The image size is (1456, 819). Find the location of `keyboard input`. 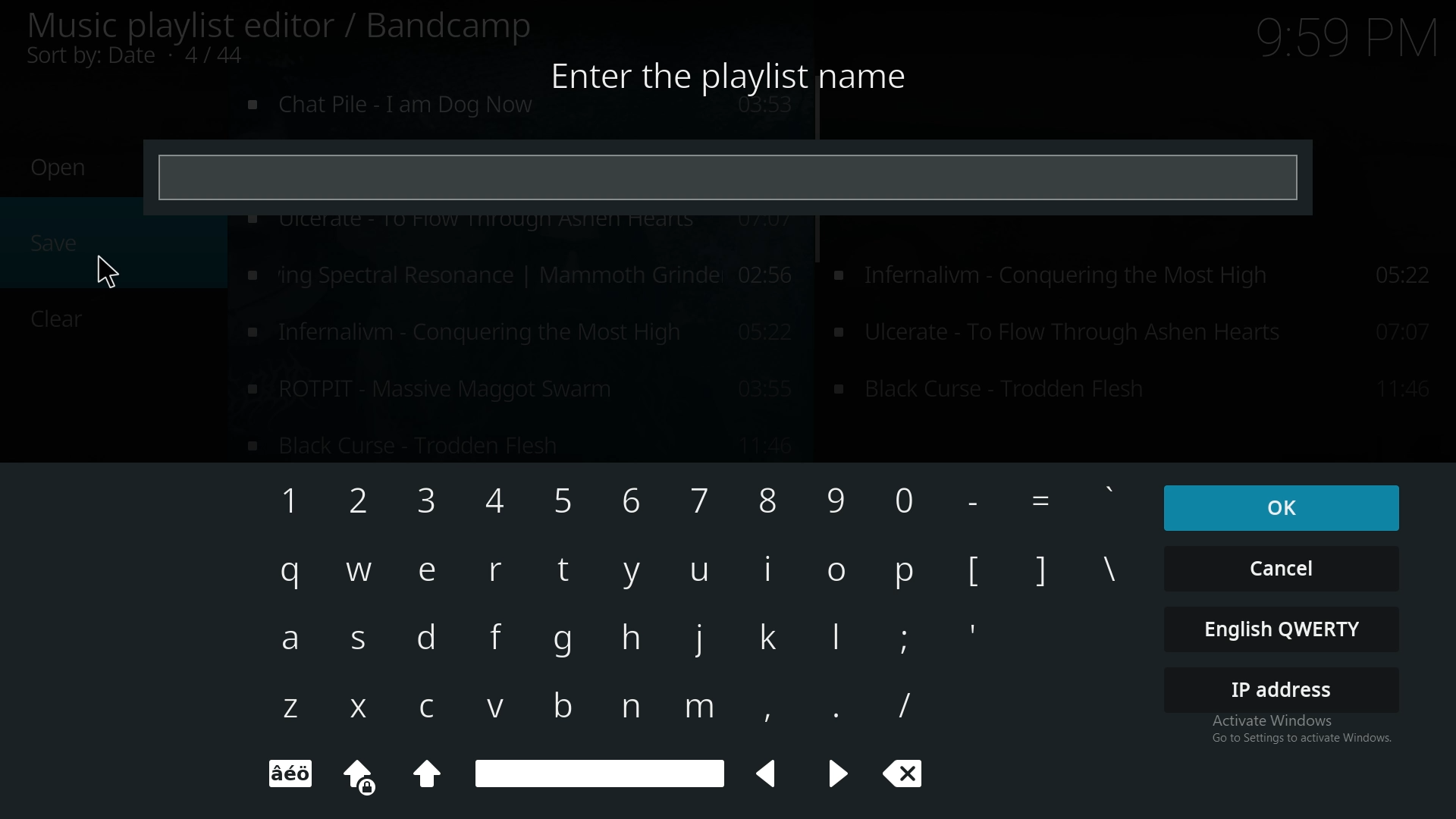

keyboard input is located at coordinates (281, 500).